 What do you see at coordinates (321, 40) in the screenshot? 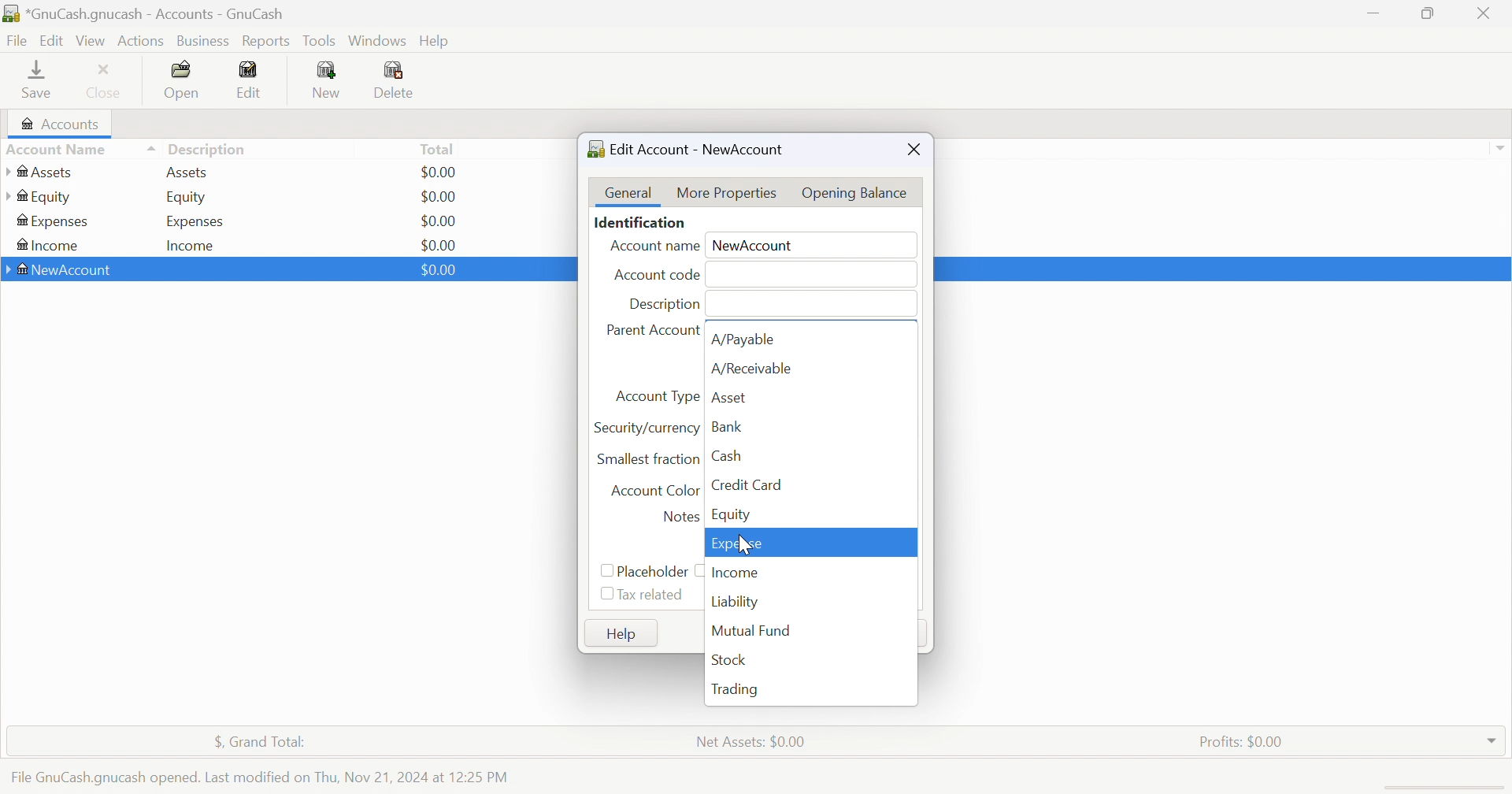
I see `Tools` at bounding box center [321, 40].